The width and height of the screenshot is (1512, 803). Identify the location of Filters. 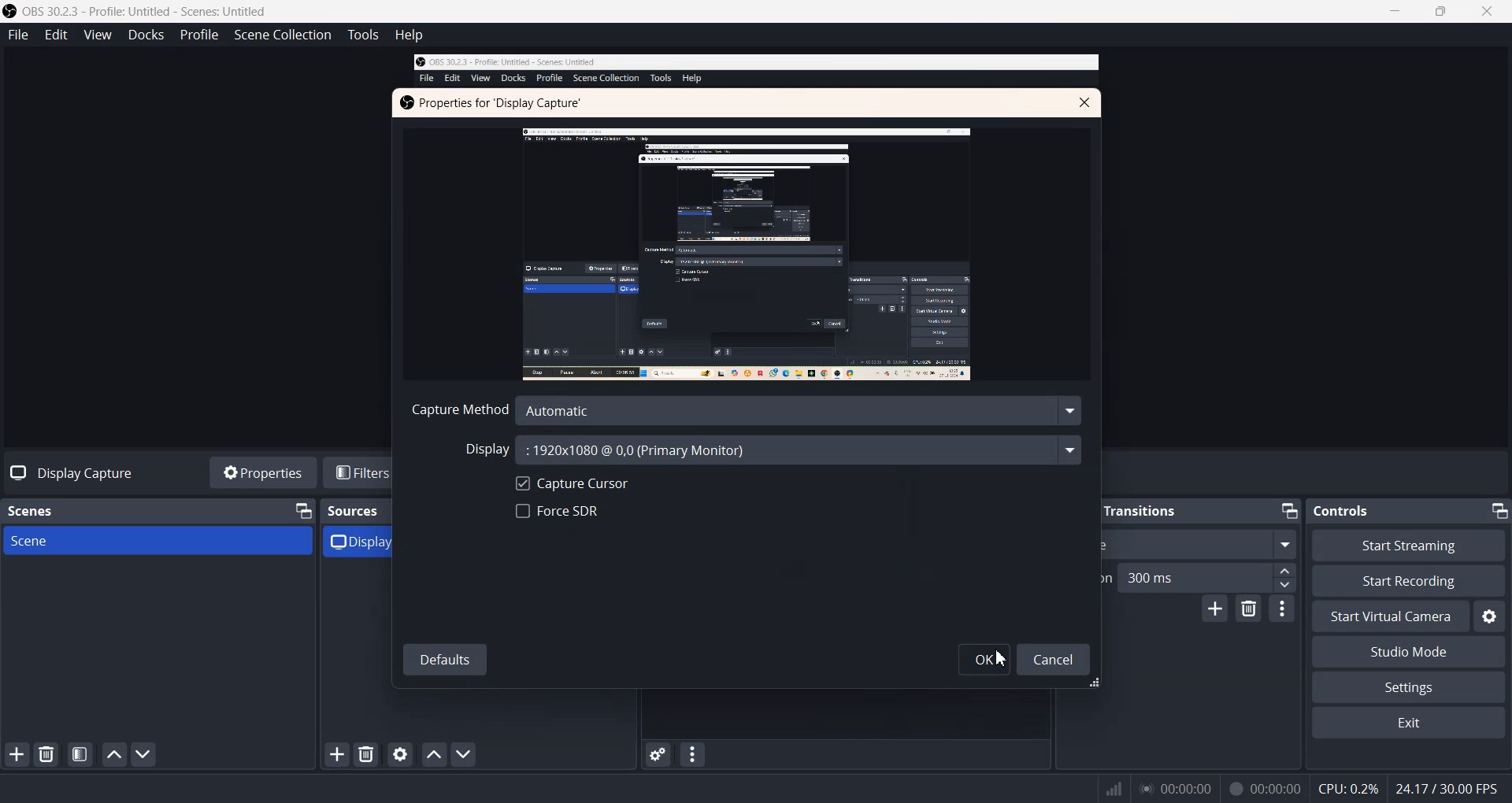
(363, 472).